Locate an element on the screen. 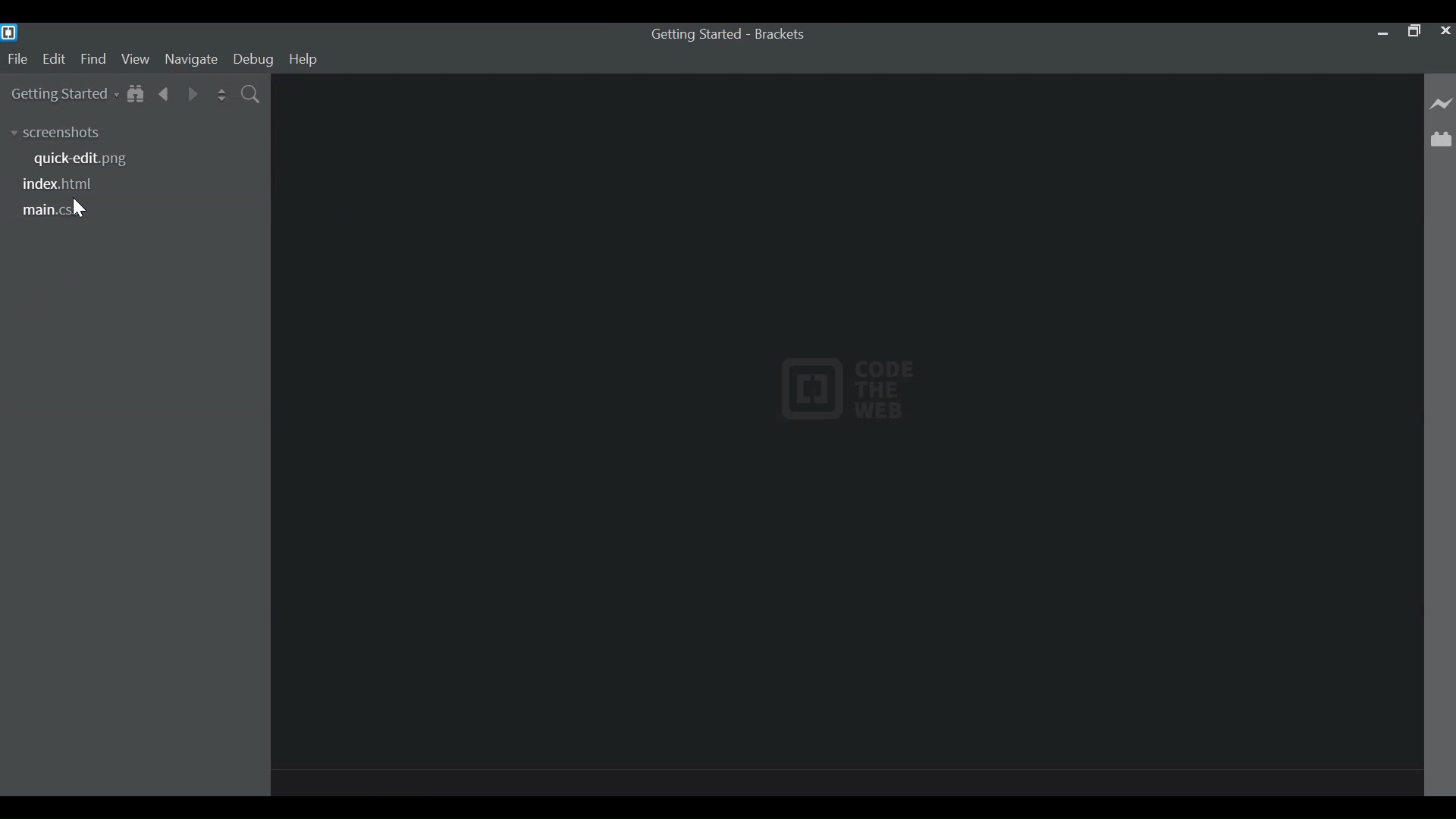 This screenshot has width=1456, height=819. minimize is located at coordinates (1382, 33).